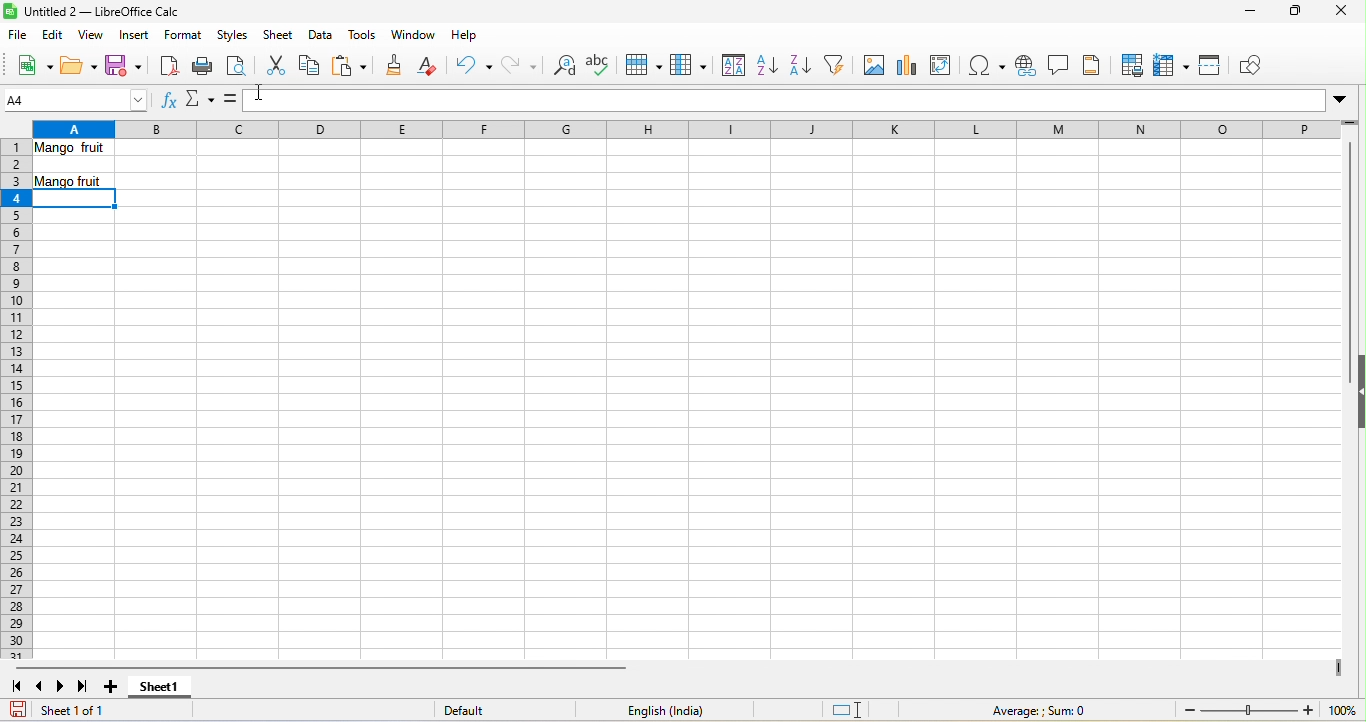 The width and height of the screenshot is (1366, 722). Describe the element at coordinates (906, 64) in the screenshot. I see `chart` at that location.